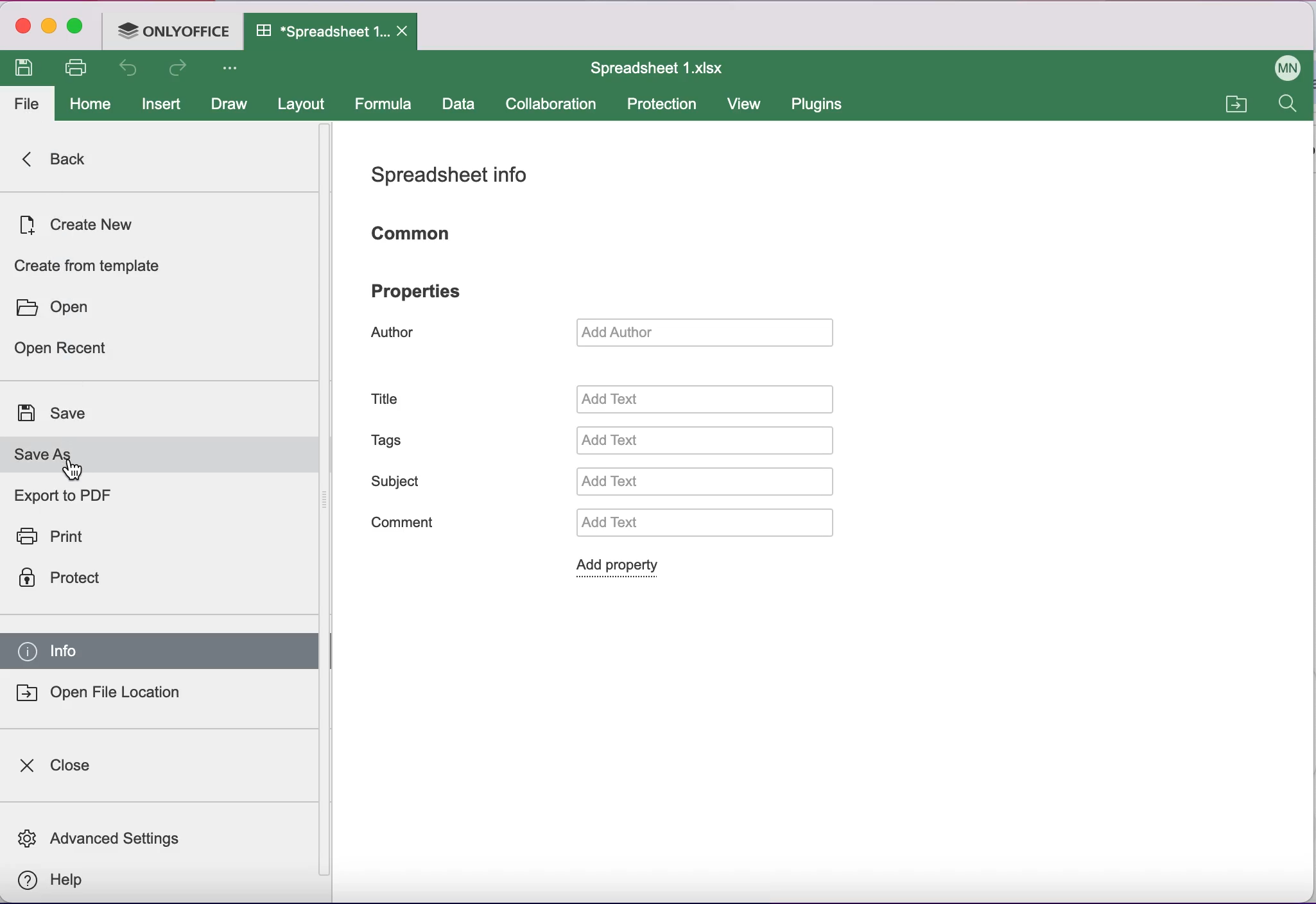  I want to click on open recent, so click(85, 351).